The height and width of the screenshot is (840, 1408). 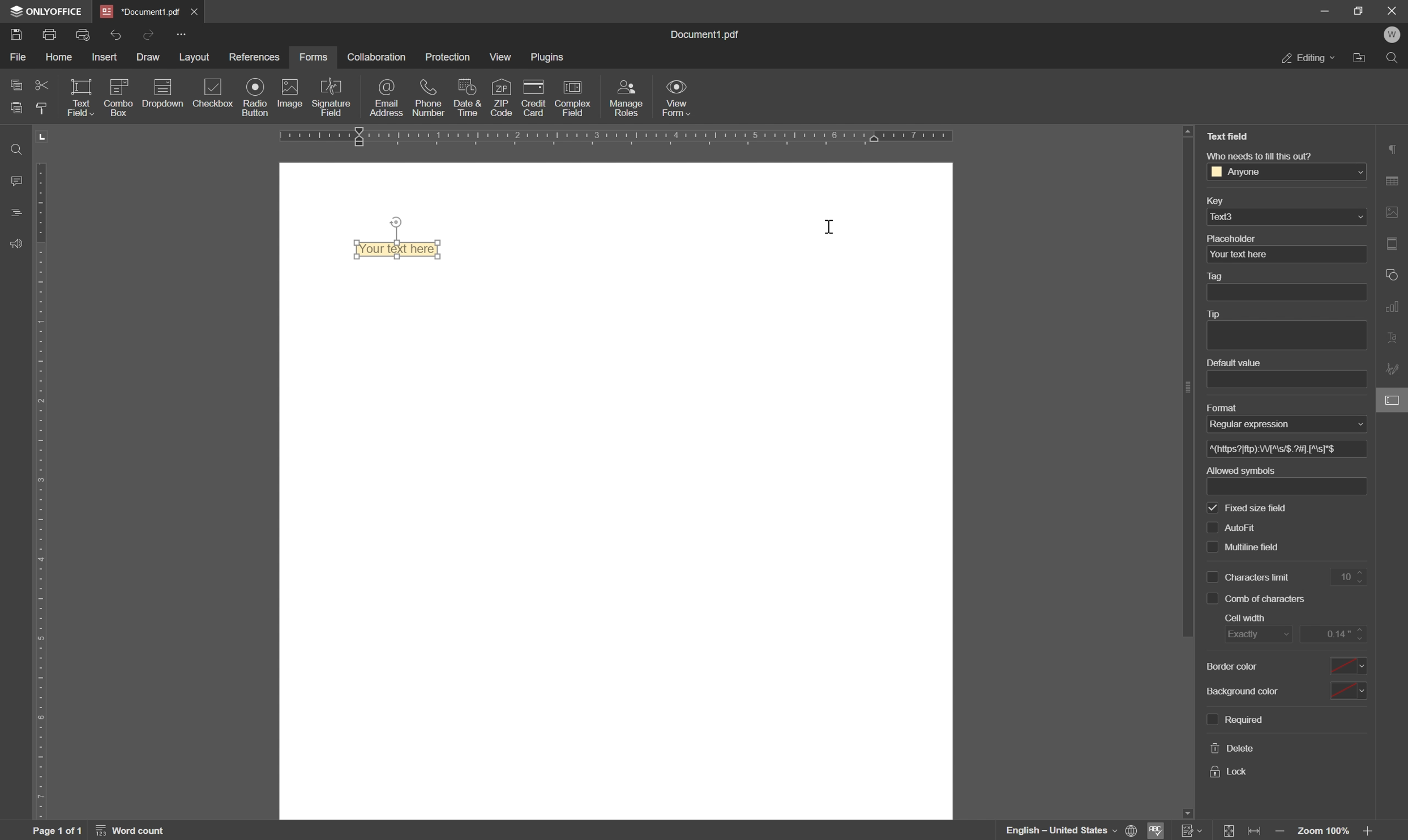 I want to click on home, so click(x=63, y=59).